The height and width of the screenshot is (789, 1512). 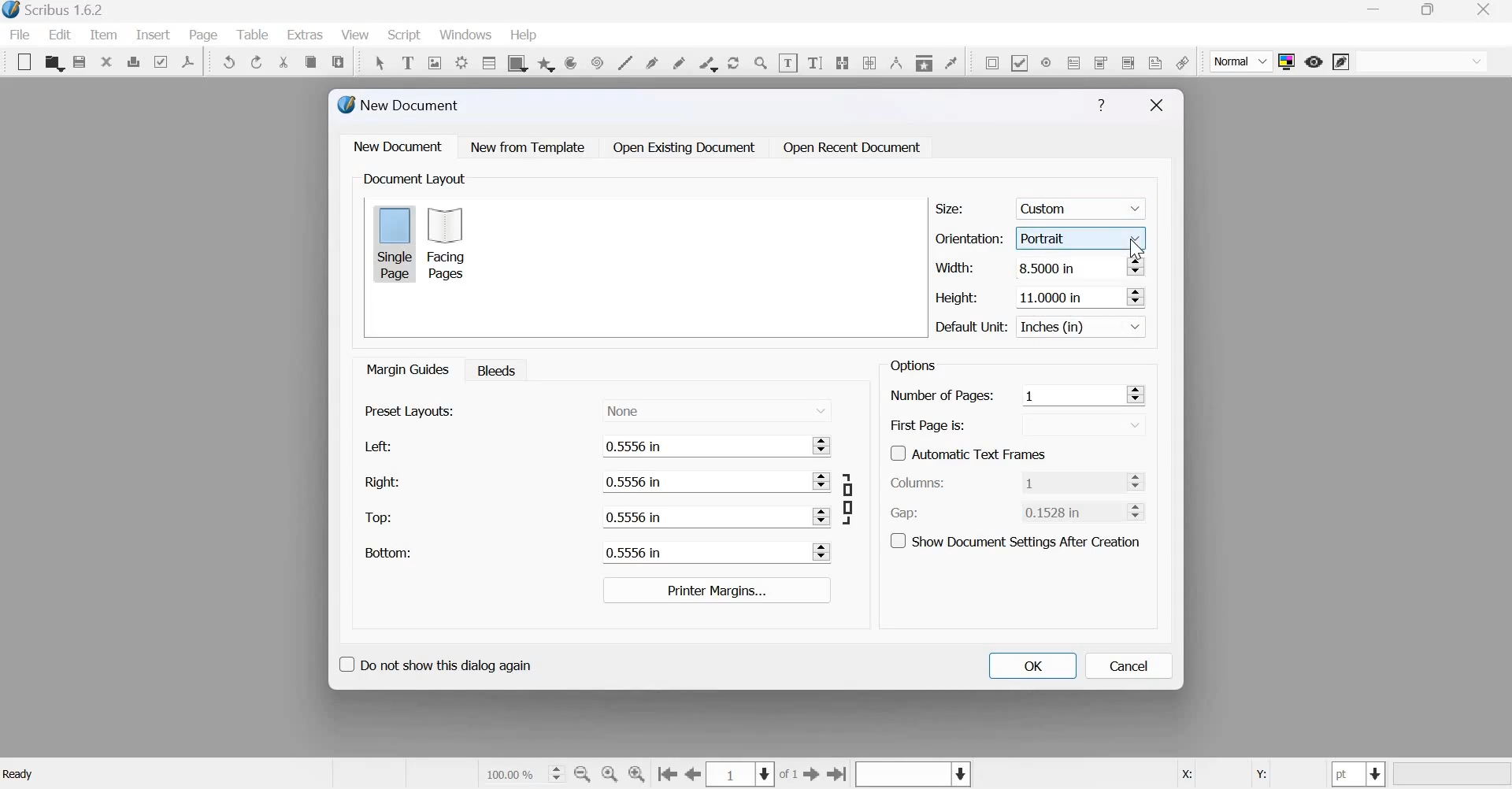 What do you see at coordinates (516, 62) in the screenshot?
I see `shape` at bounding box center [516, 62].